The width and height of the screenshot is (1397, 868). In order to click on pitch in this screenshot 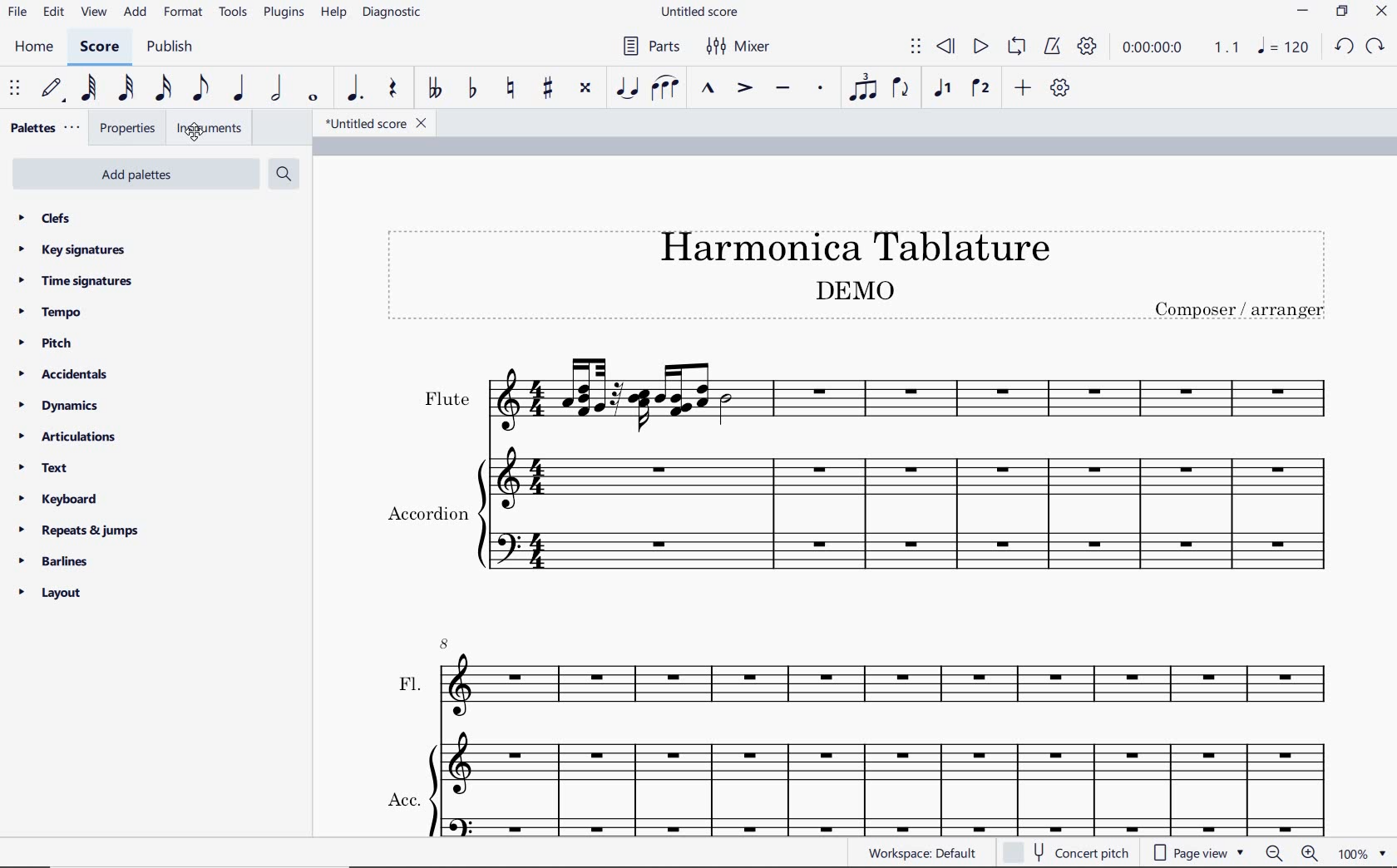, I will do `click(46, 343)`.